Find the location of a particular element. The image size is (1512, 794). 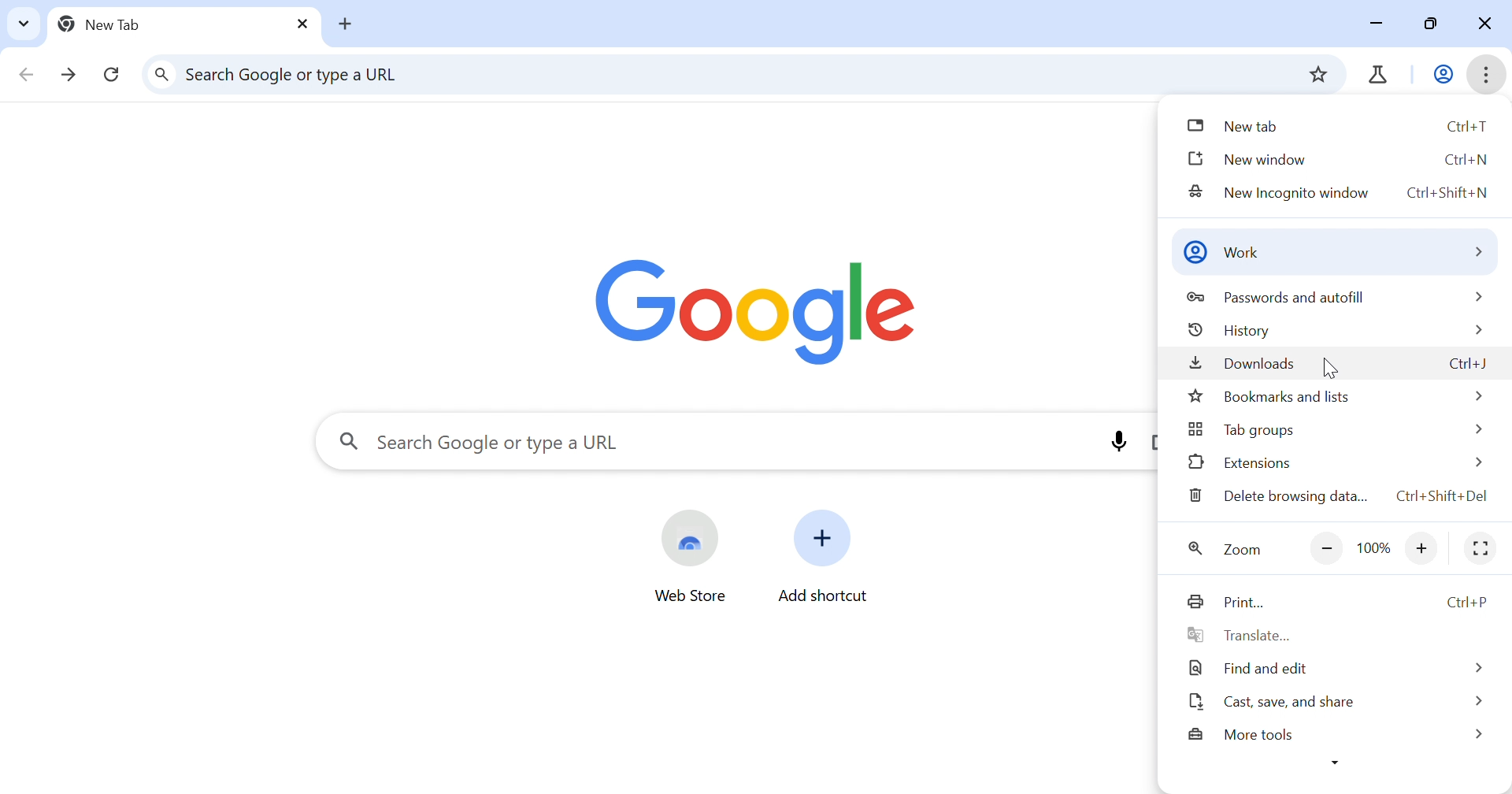

Delete browsing data is located at coordinates (1284, 495).